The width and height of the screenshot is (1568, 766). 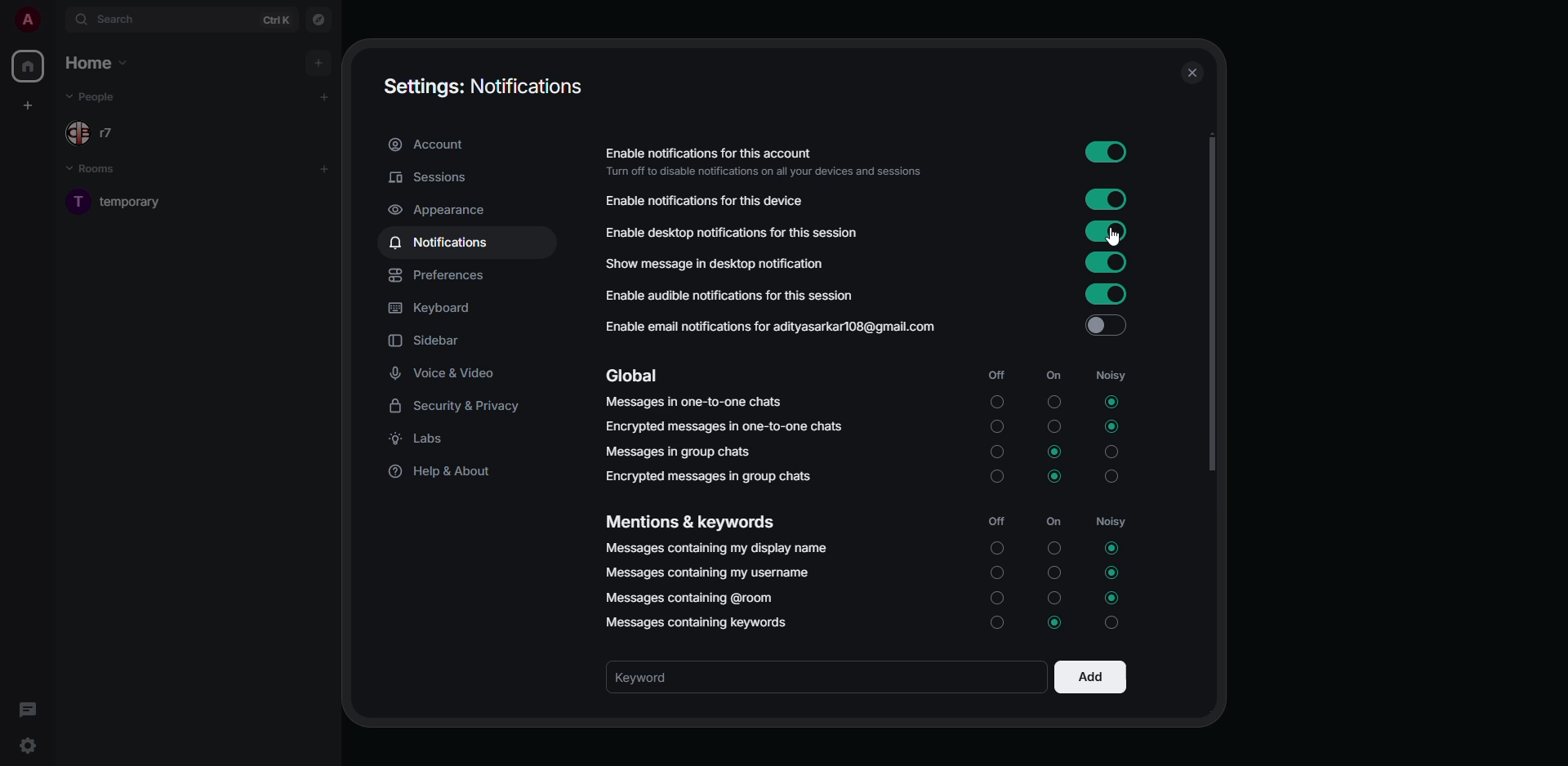 What do you see at coordinates (1113, 520) in the screenshot?
I see `noisy` at bounding box center [1113, 520].